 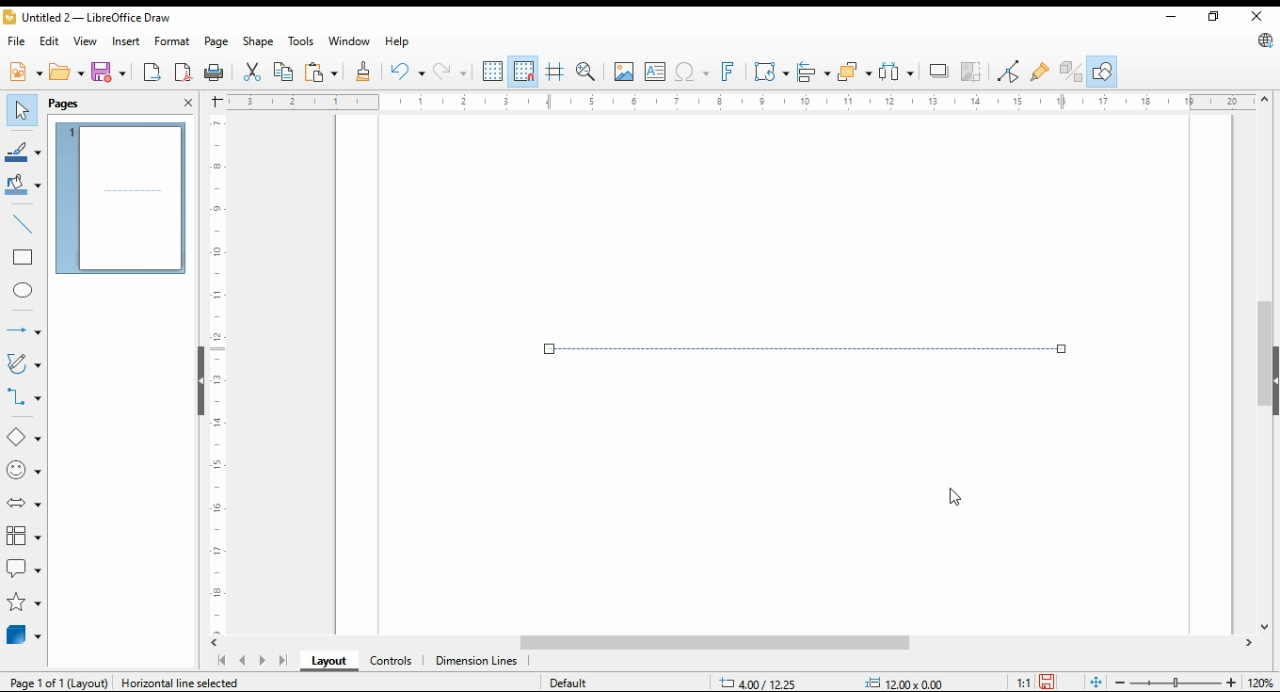 I want to click on undo, so click(x=408, y=70).